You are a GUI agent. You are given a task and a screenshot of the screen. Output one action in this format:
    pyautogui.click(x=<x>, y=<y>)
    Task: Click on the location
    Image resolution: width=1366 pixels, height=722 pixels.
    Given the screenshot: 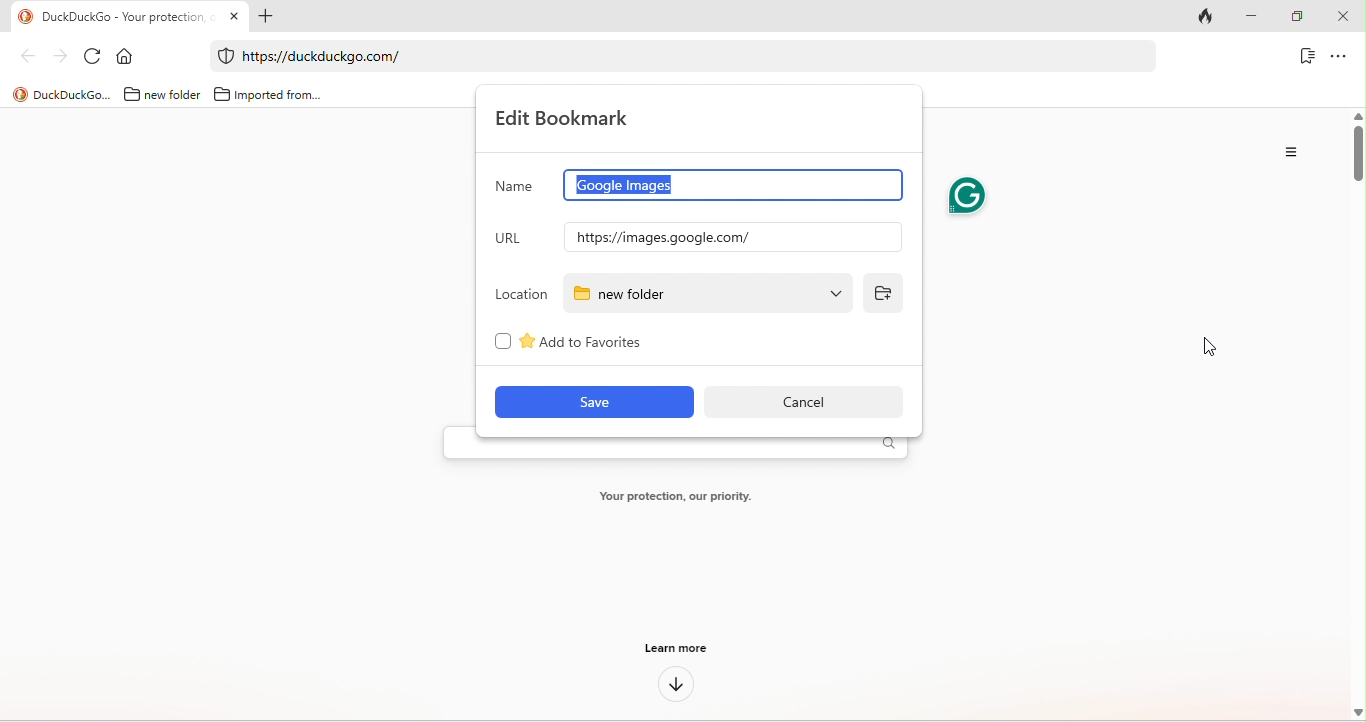 What is the action you would take?
    pyautogui.click(x=523, y=295)
    